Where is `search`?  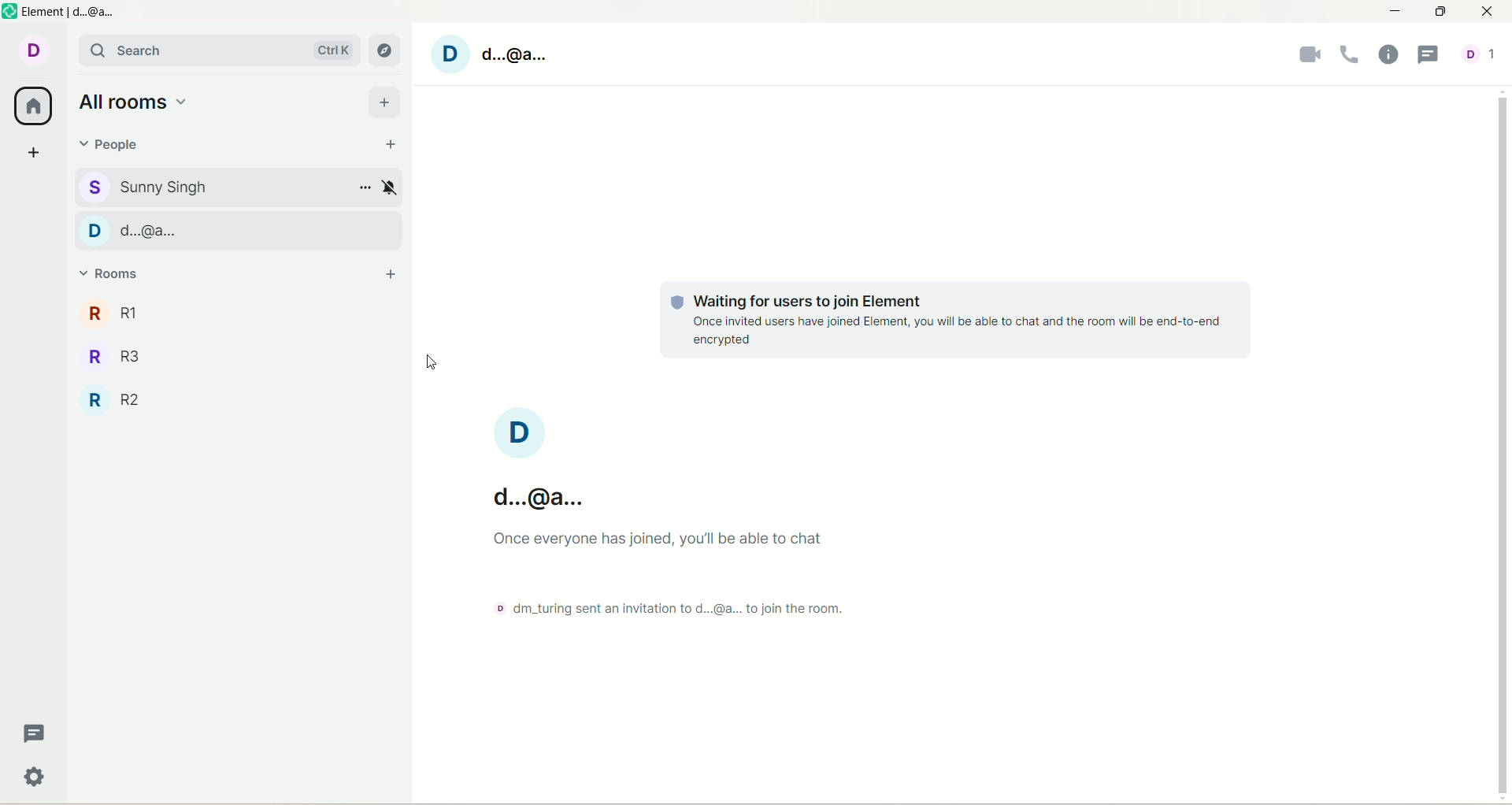 search is located at coordinates (218, 50).